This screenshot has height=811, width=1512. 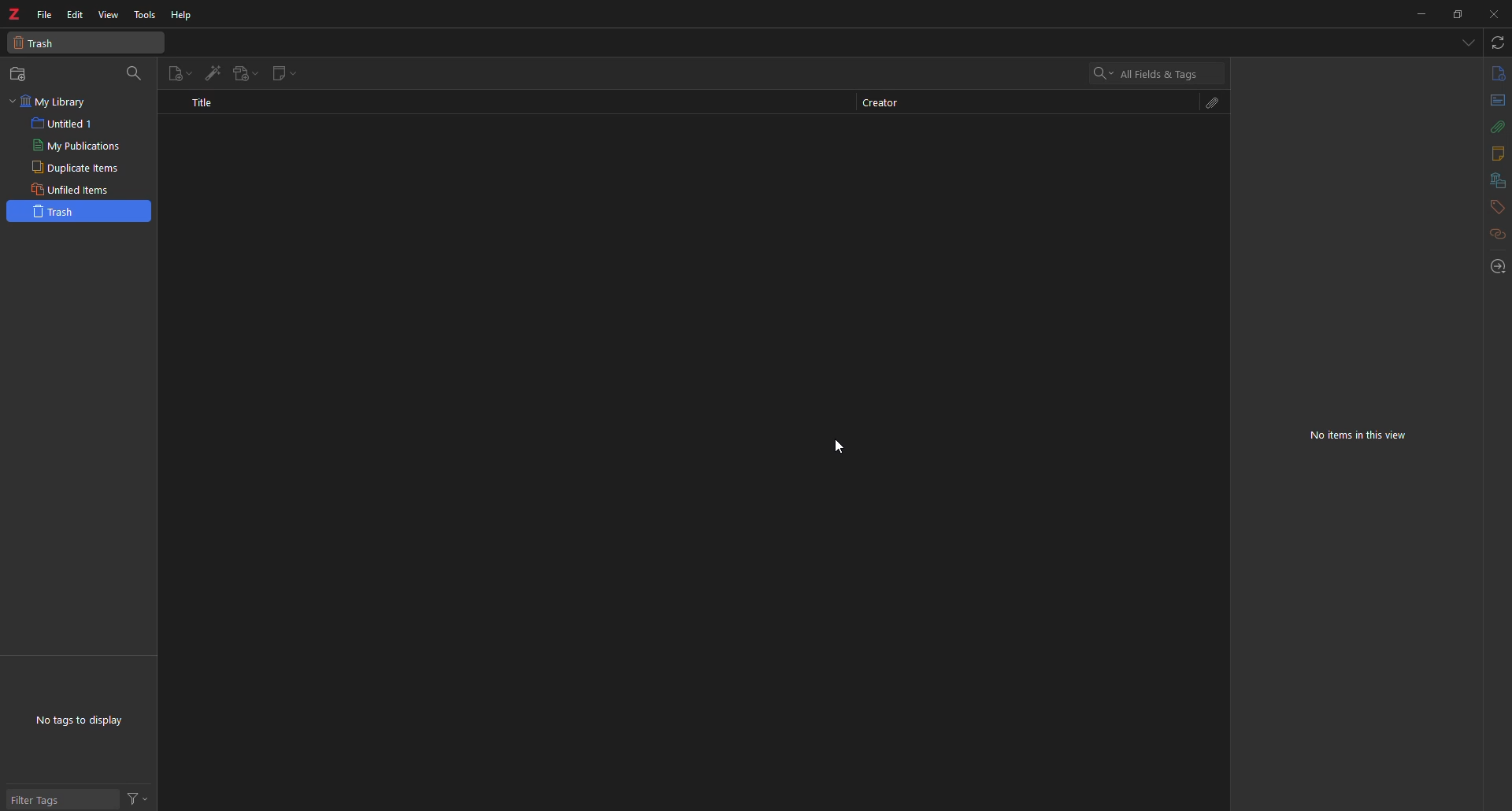 What do you see at coordinates (80, 146) in the screenshot?
I see `my pubications` at bounding box center [80, 146].